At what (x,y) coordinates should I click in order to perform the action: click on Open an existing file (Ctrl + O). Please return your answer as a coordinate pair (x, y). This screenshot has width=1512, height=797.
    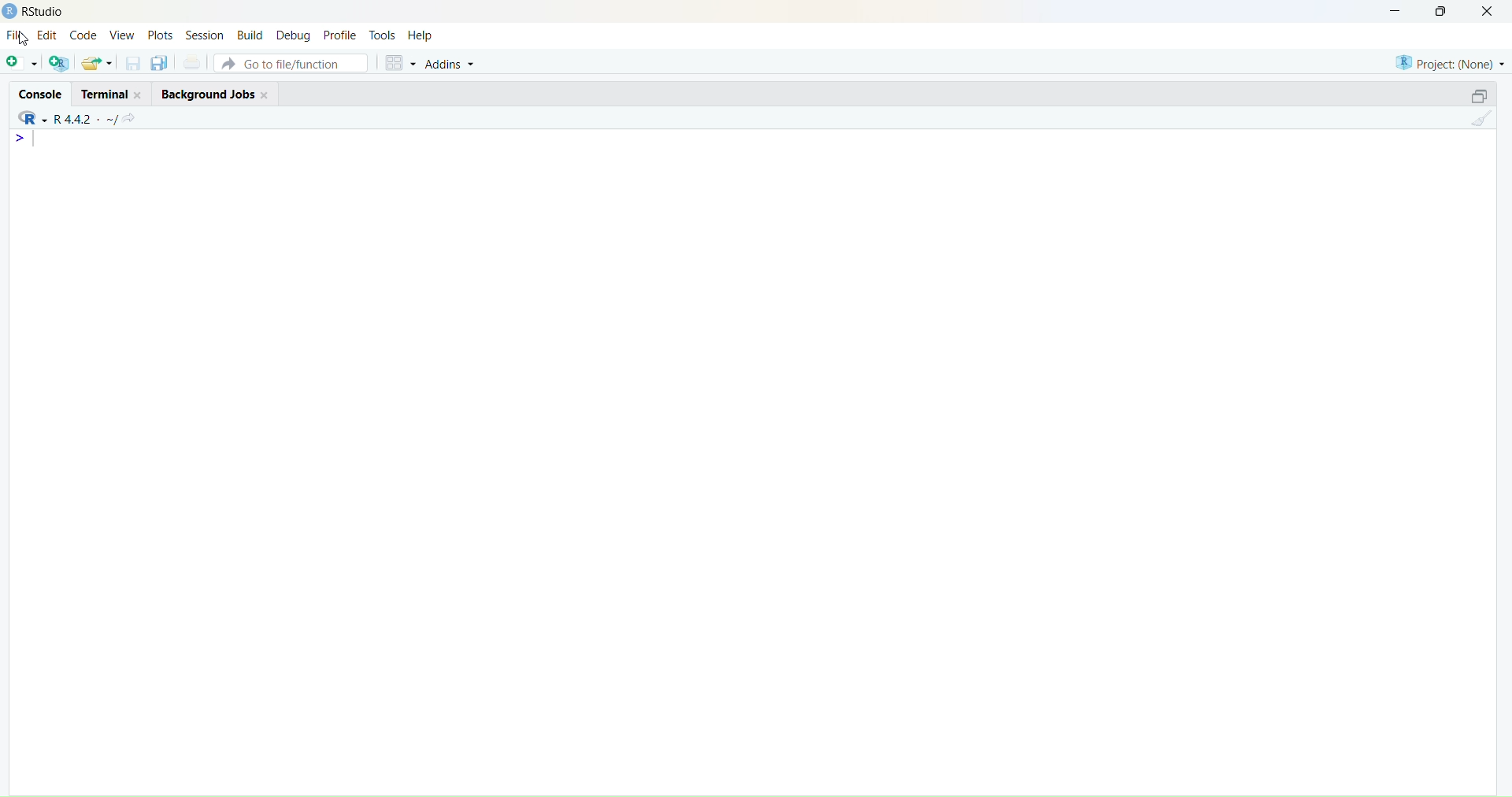
    Looking at the image, I should click on (96, 64).